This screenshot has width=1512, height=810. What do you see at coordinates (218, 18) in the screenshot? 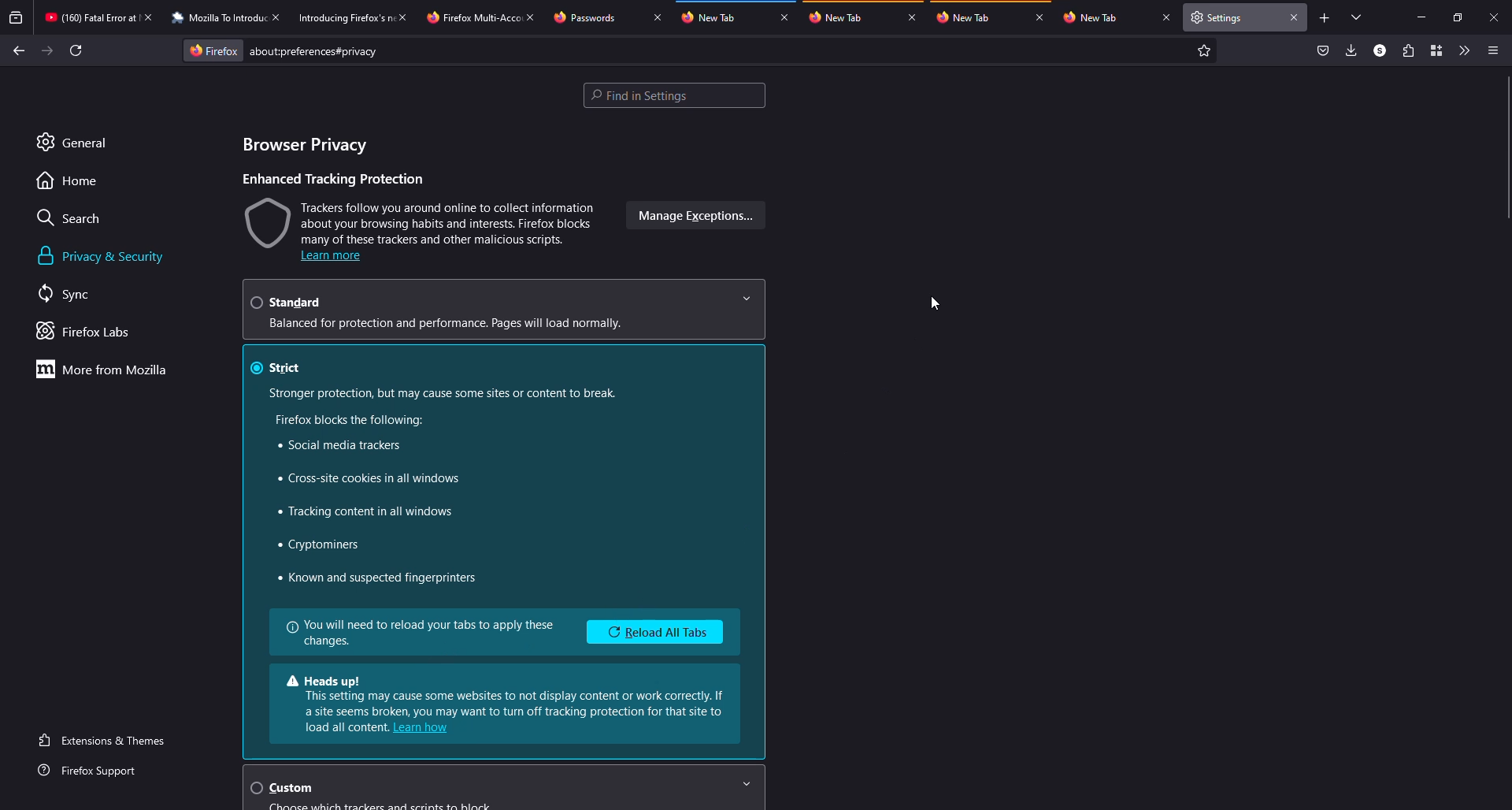
I see `tab` at bounding box center [218, 18].